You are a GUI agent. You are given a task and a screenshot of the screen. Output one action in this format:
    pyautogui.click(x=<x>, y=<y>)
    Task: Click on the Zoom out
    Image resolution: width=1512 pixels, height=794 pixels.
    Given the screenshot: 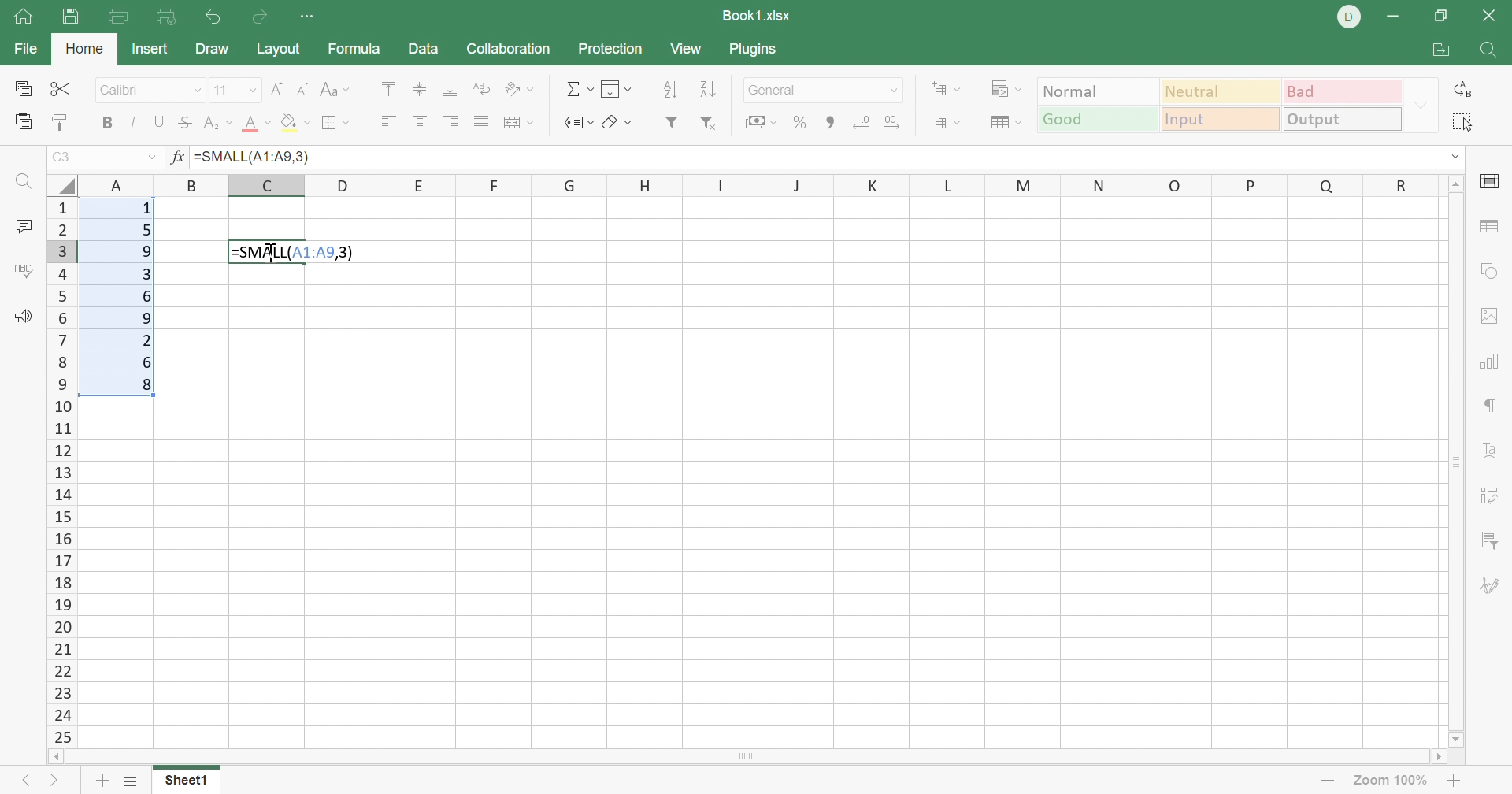 What is the action you would take?
    pyautogui.click(x=1327, y=781)
    